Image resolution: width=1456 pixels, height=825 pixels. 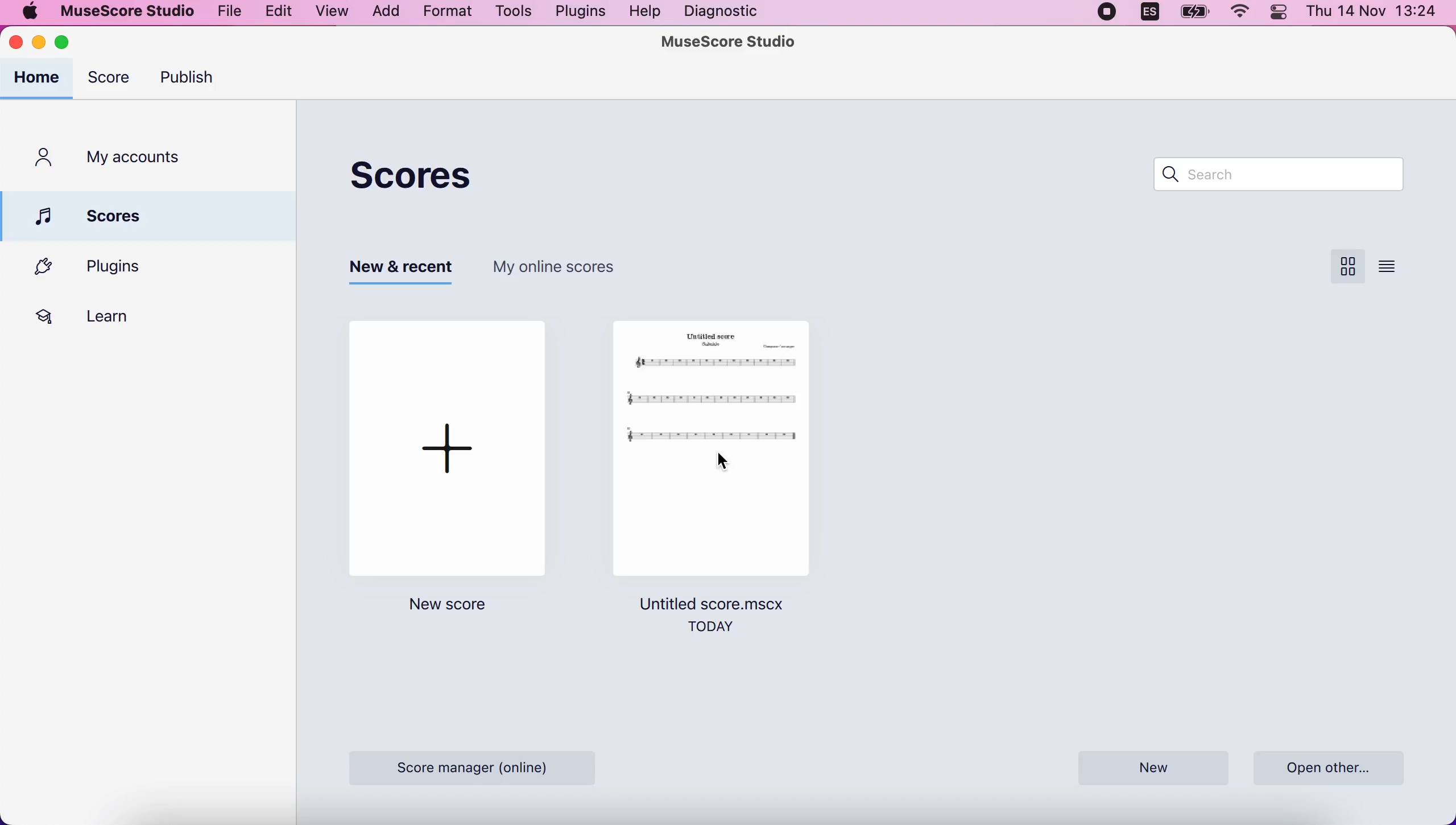 What do you see at coordinates (719, 623) in the screenshot?
I see `untitled score.mscx today` at bounding box center [719, 623].